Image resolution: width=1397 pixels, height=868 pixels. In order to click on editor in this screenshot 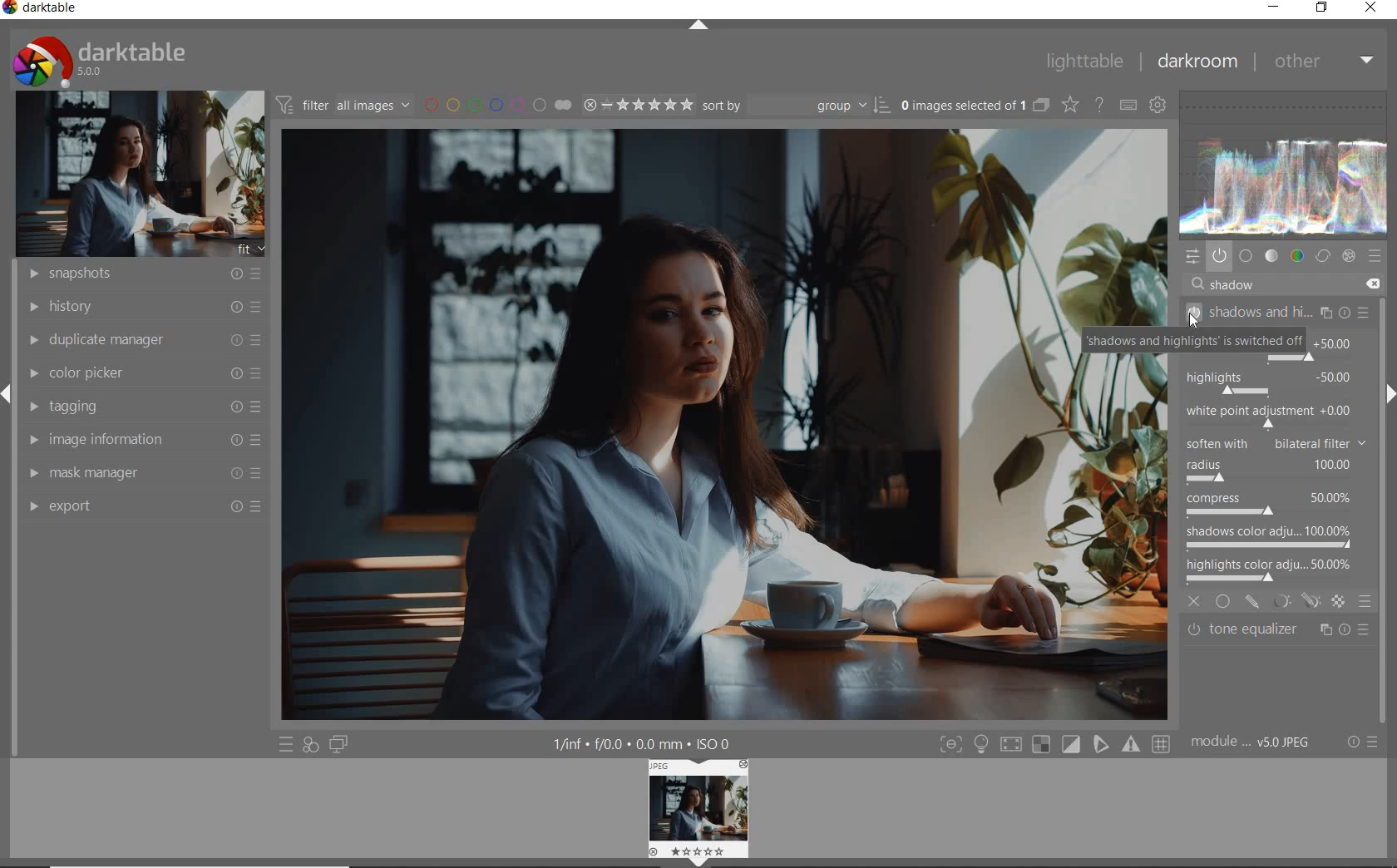, I will do `click(1211, 284)`.